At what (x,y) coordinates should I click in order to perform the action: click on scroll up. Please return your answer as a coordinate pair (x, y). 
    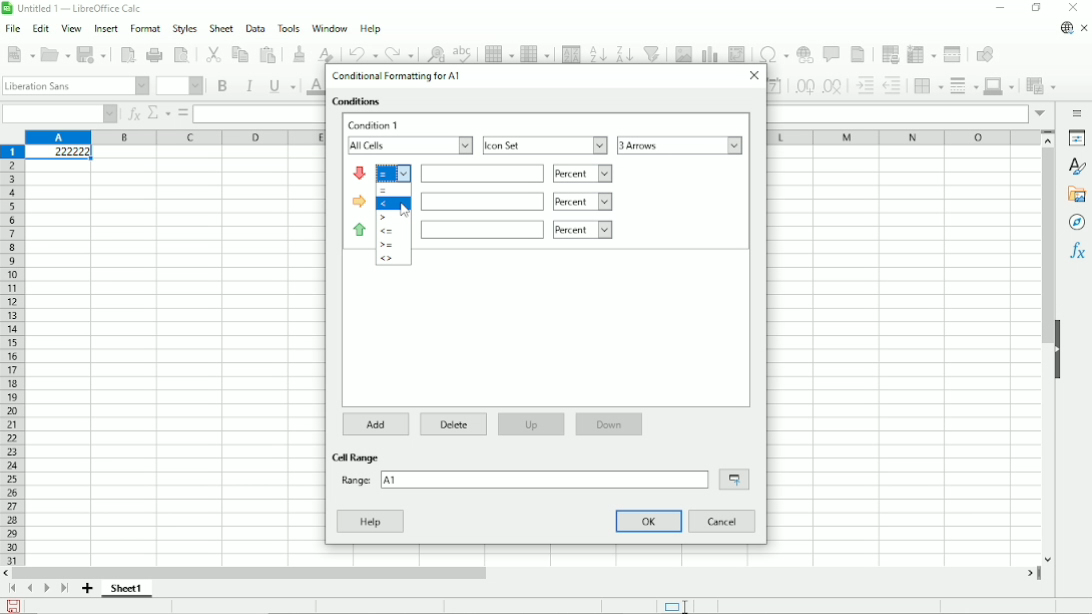
    Looking at the image, I should click on (1049, 139).